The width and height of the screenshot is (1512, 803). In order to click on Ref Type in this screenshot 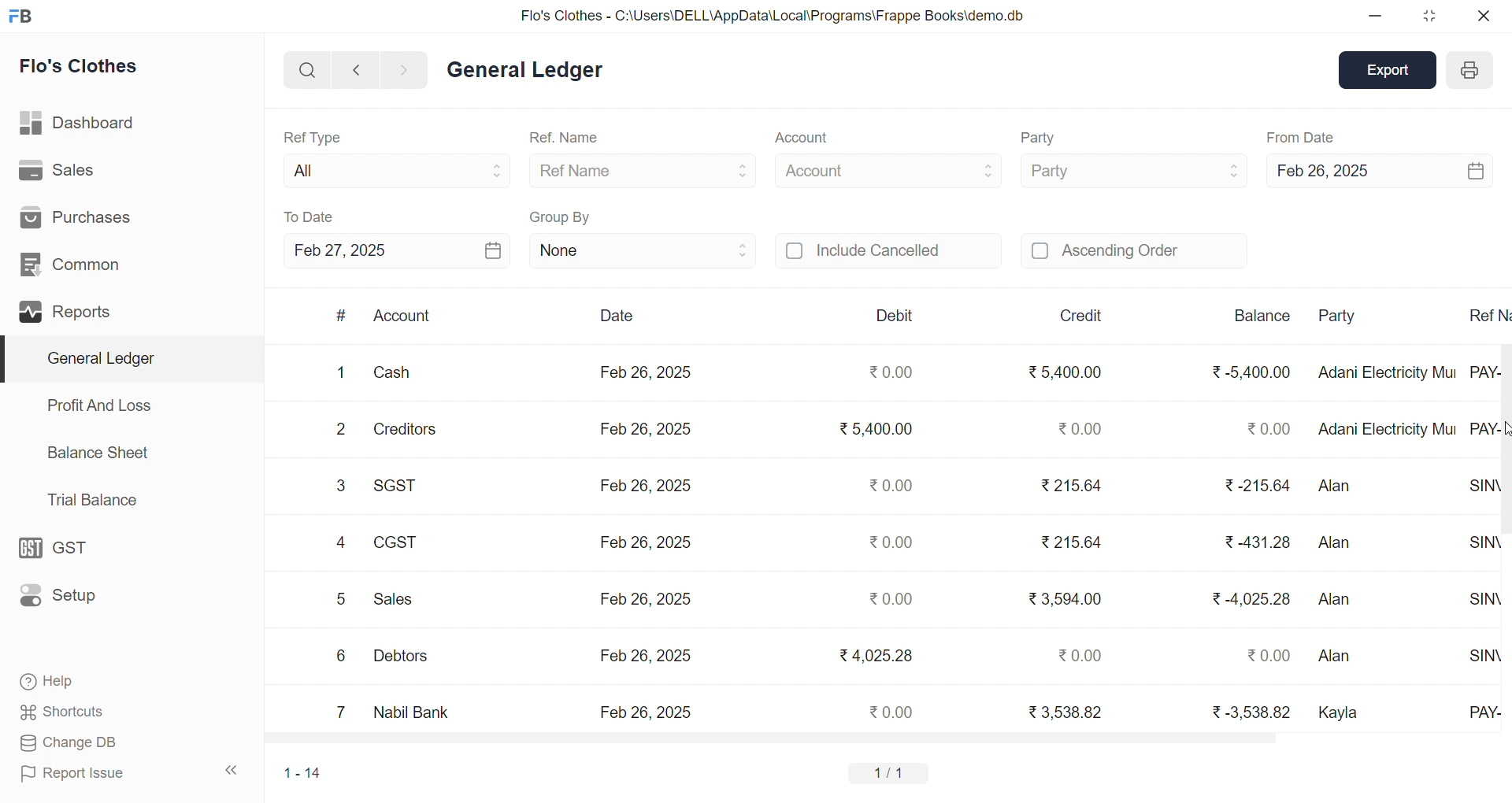, I will do `click(312, 136)`.